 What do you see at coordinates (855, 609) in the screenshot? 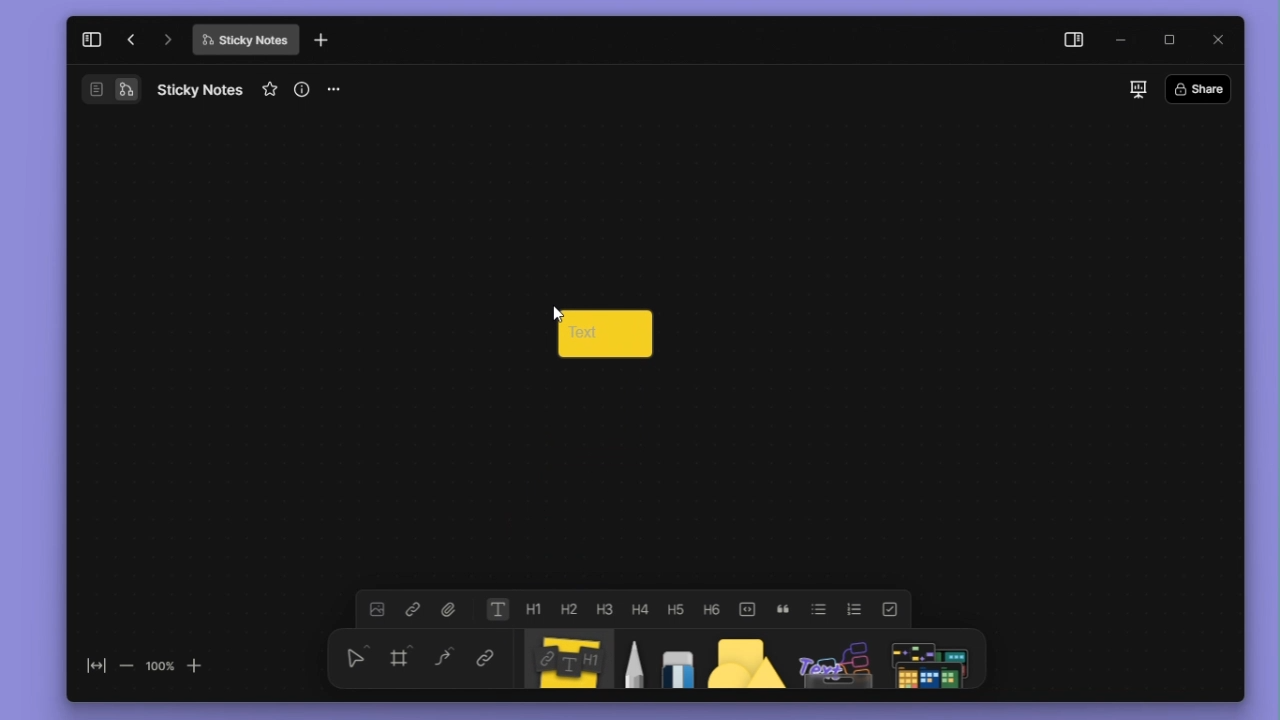
I see `numbered list` at bounding box center [855, 609].